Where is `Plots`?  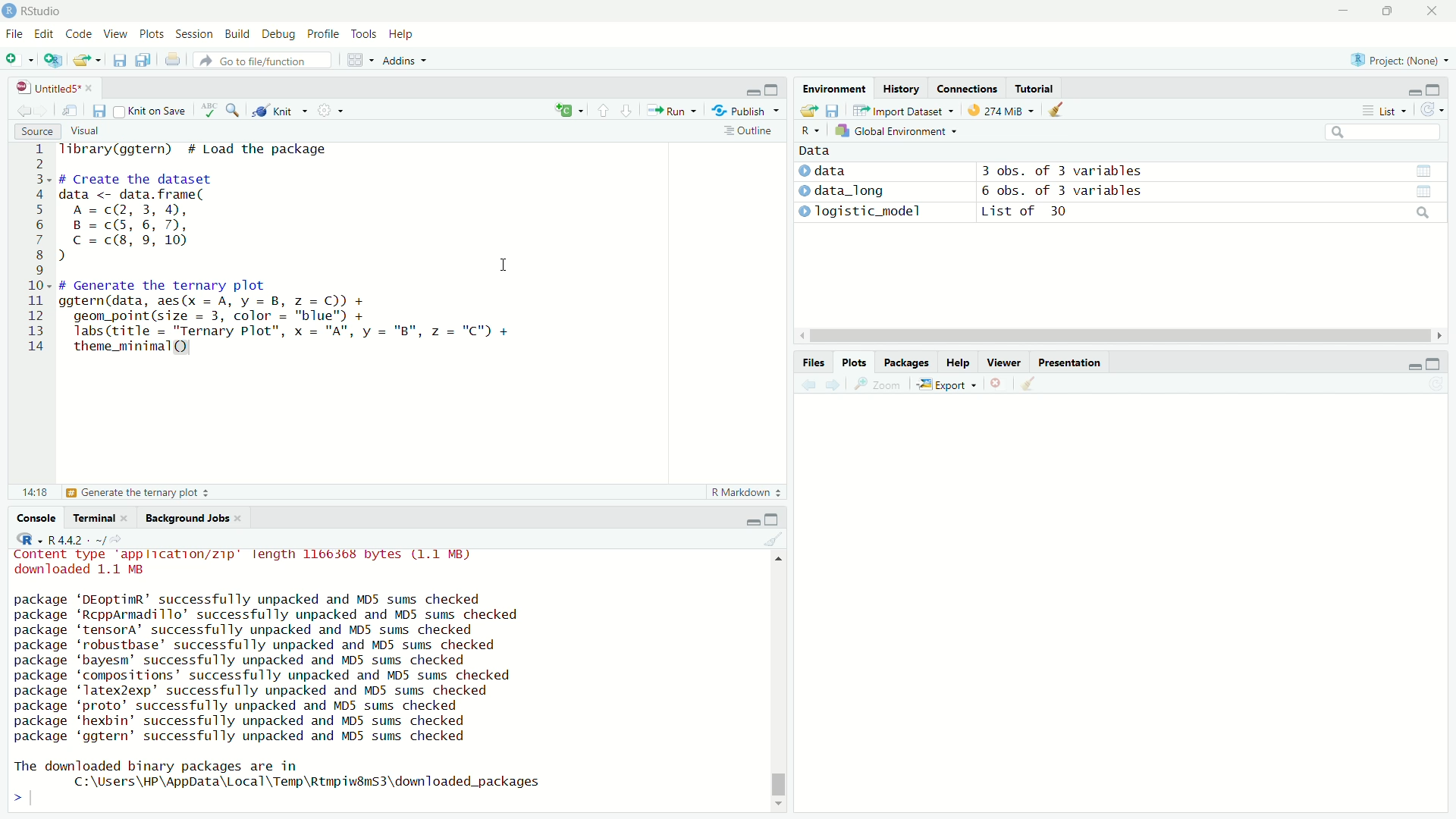
Plots is located at coordinates (149, 35).